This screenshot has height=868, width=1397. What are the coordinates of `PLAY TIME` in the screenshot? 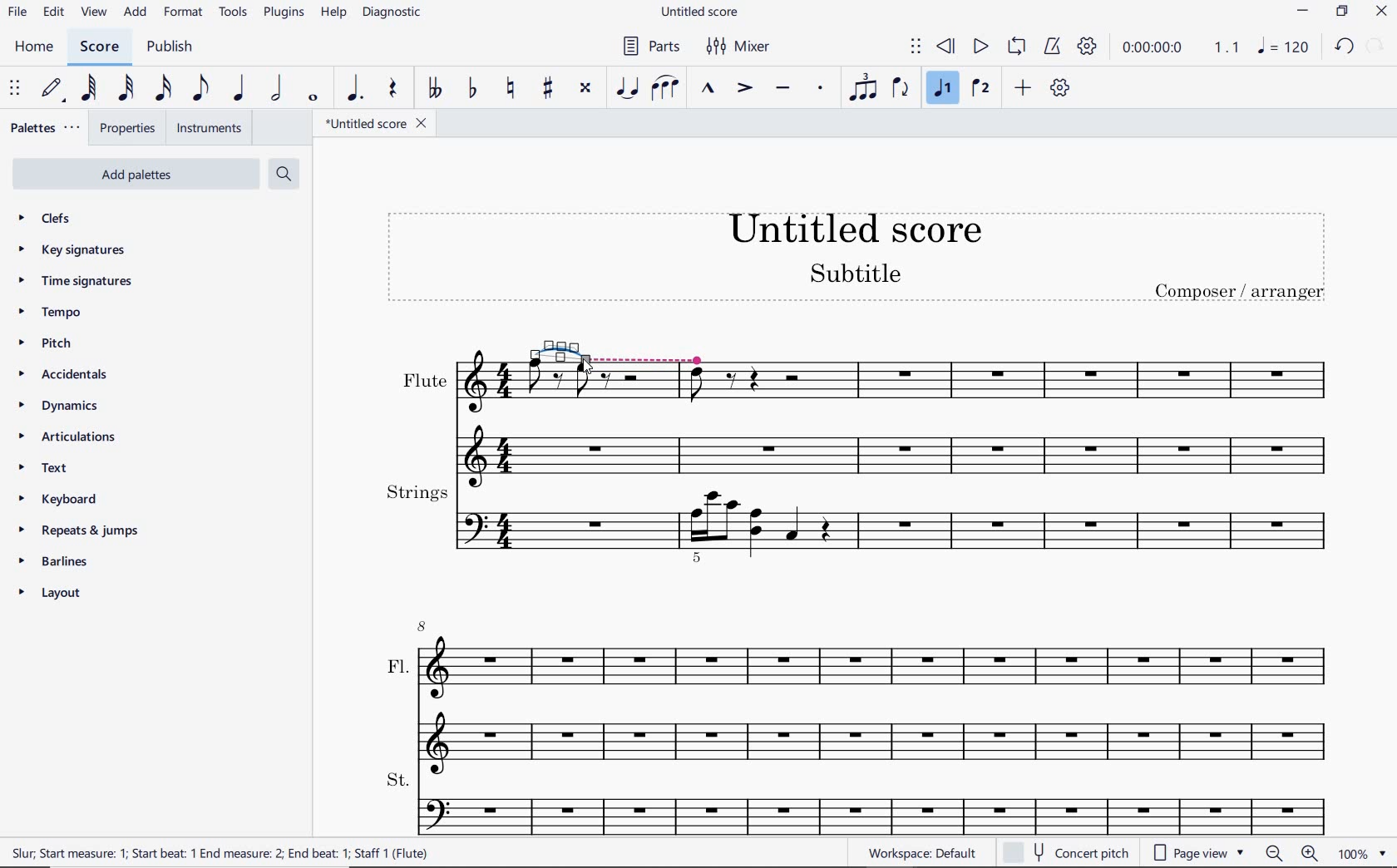 It's located at (1182, 50).